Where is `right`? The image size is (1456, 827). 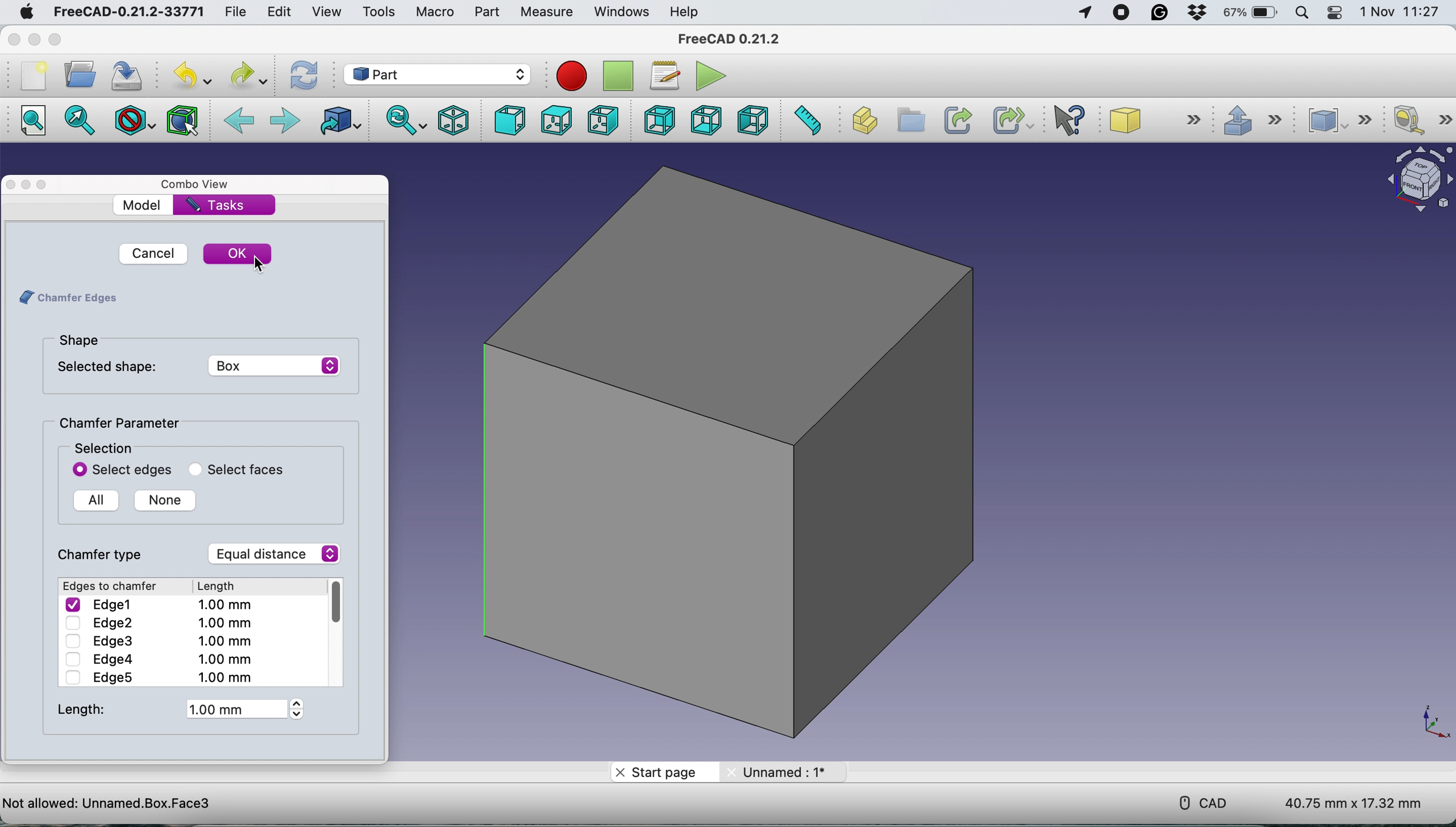
right is located at coordinates (608, 119).